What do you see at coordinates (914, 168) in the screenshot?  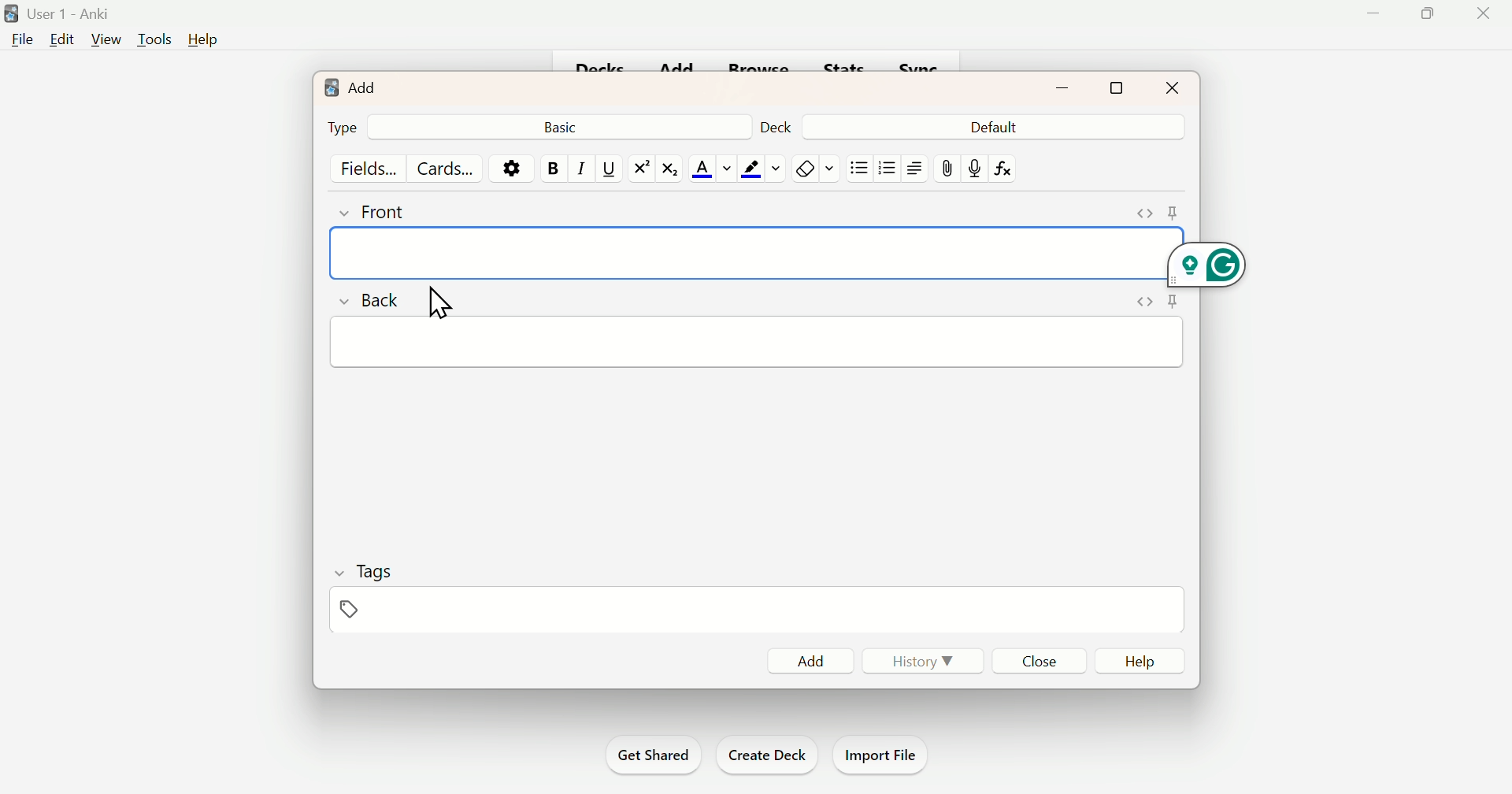 I see `Right side` at bounding box center [914, 168].